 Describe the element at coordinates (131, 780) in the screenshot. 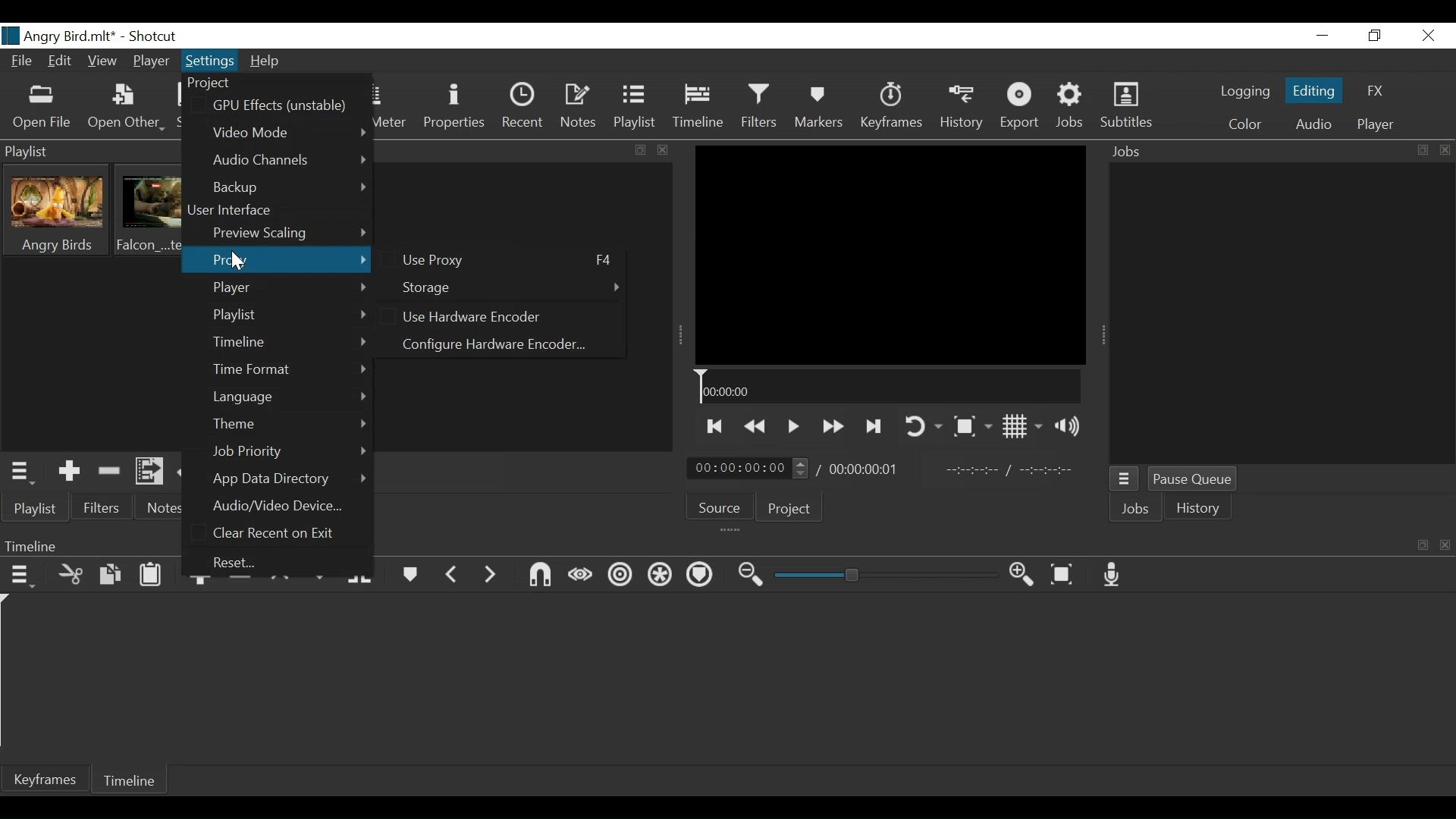

I see `Timeline` at that location.